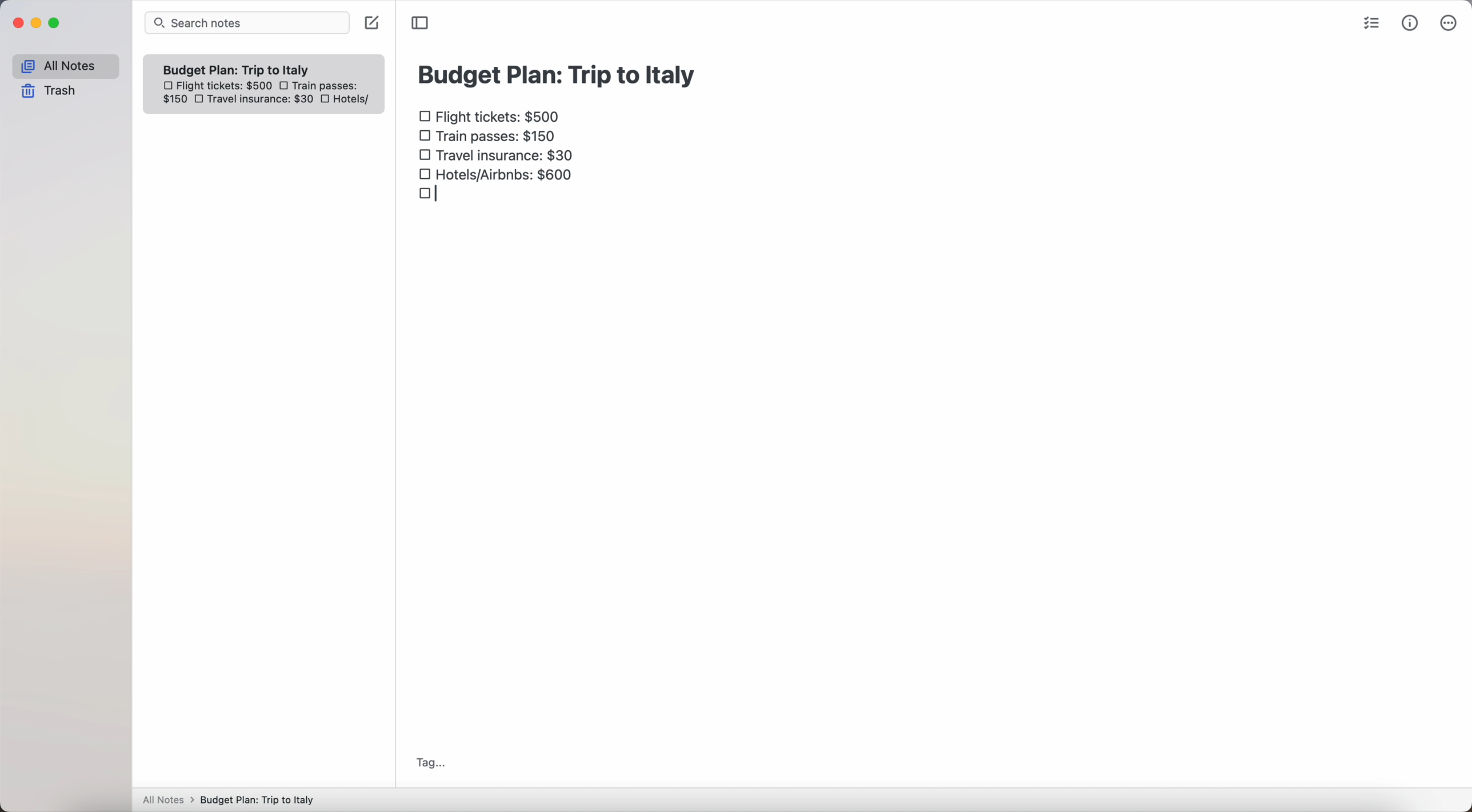  Describe the element at coordinates (493, 118) in the screenshot. I see `flight tickets: $500 checkbox` at that location.